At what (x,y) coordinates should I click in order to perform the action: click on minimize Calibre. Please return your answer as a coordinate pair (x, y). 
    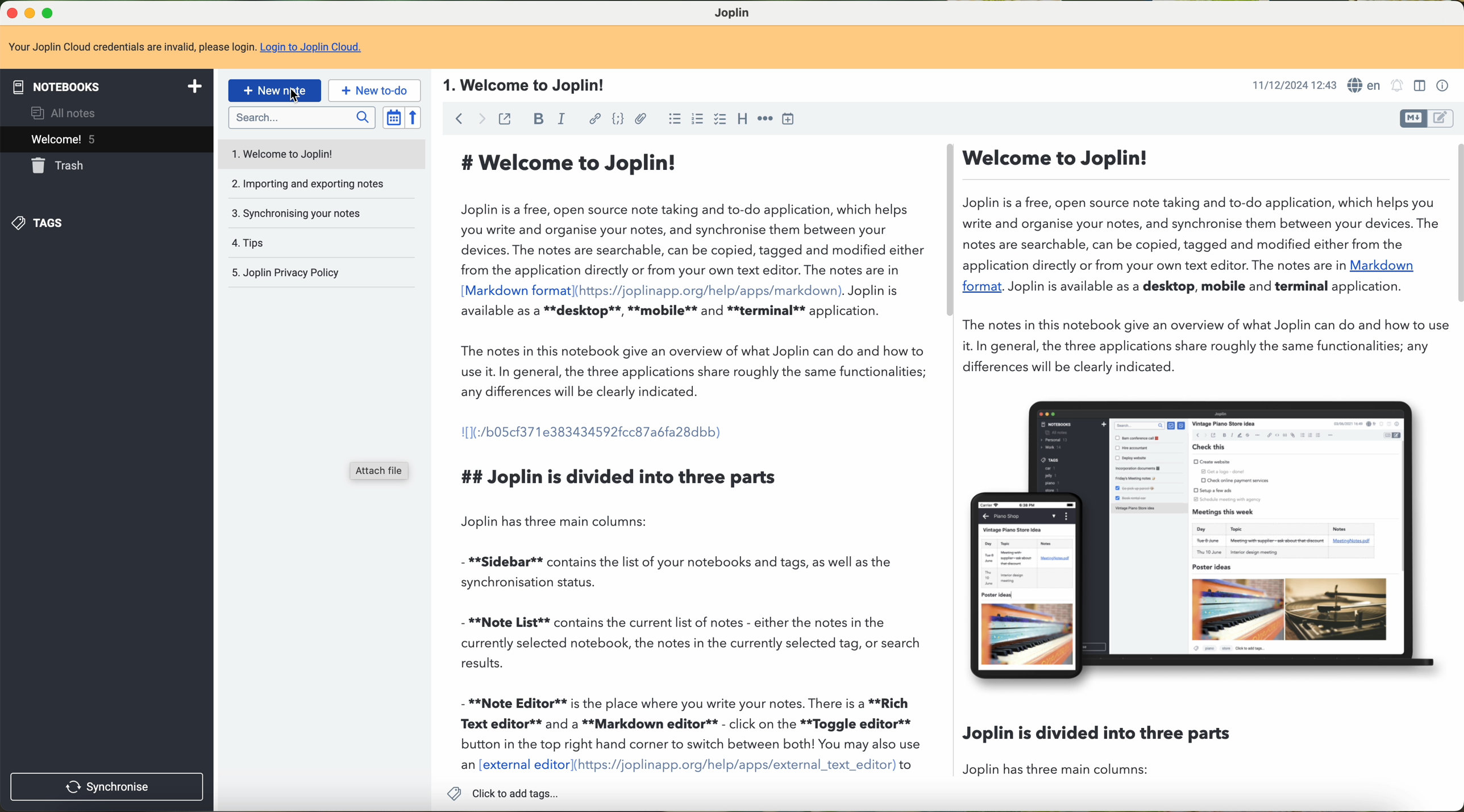
    Looking at the image, I should click on (32, 13).